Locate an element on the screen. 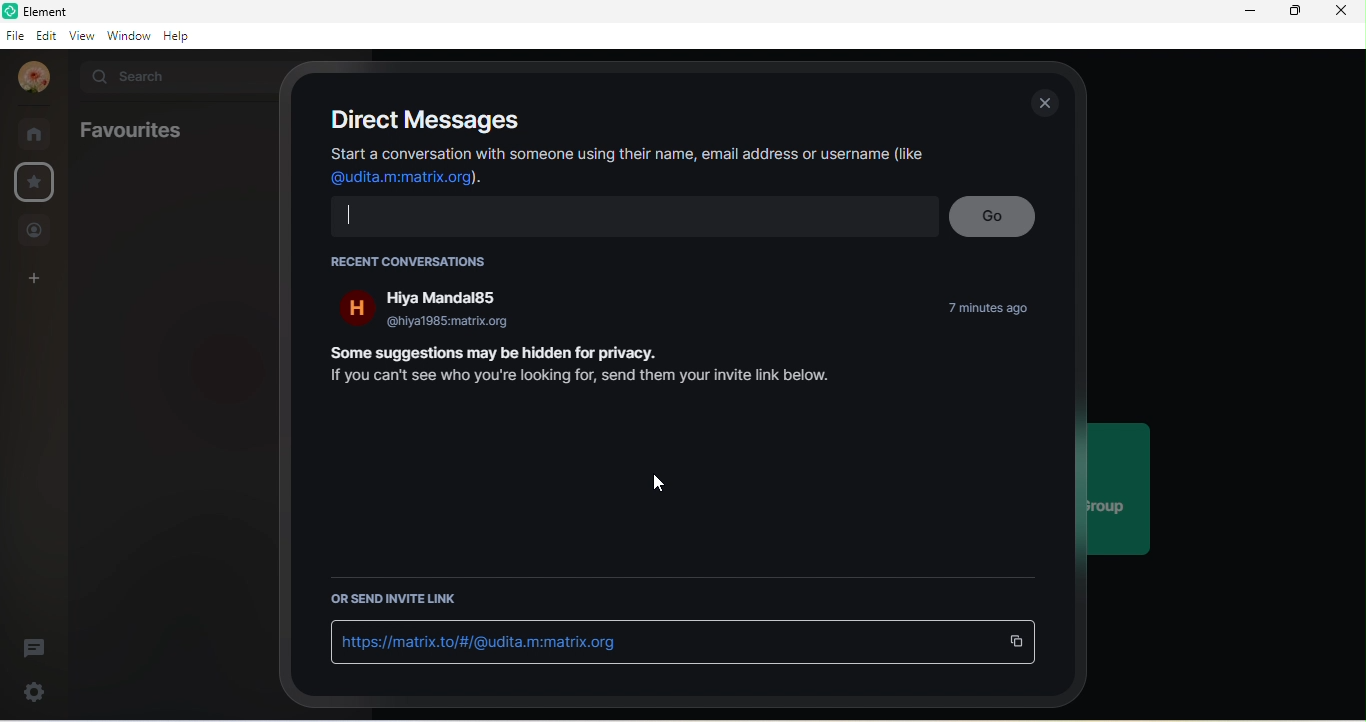  Start a conversation with someone using their name, email address or username (like @udita.m:matrix.org). is located at coordinates (628, 167).